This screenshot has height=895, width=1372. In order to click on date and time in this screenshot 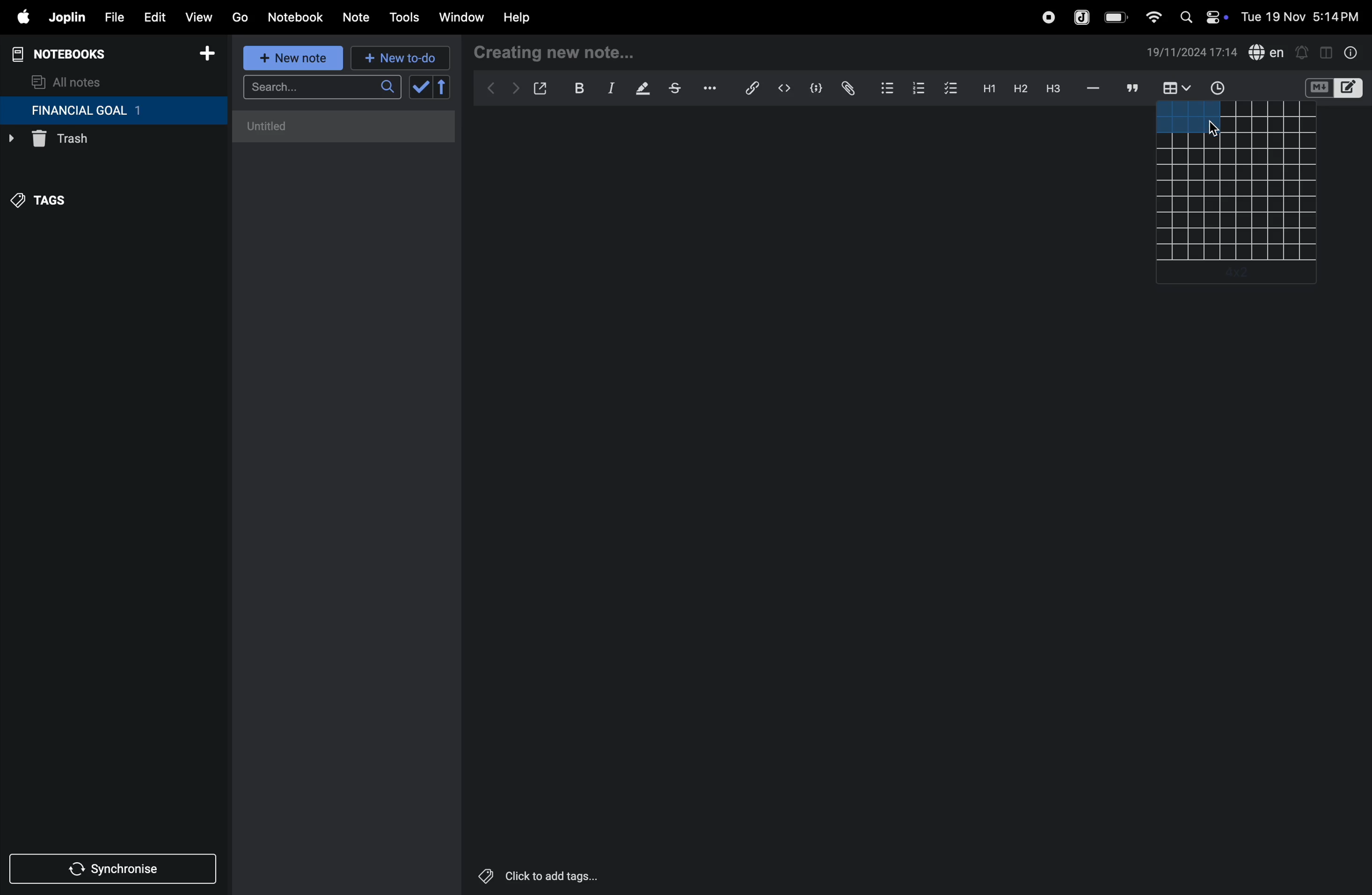, I will do `click(1192, 52)`.